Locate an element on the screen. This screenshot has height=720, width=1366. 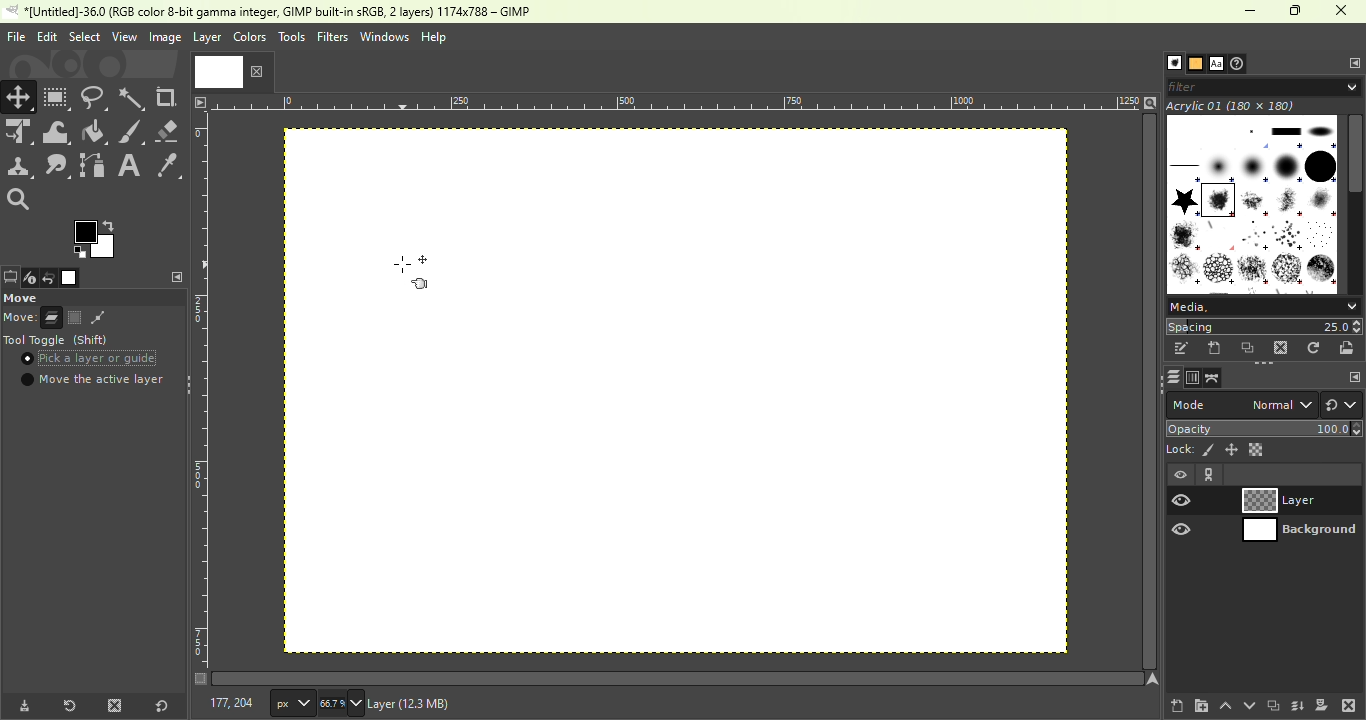
Create a new layer is located at coordinates (1177, 703).